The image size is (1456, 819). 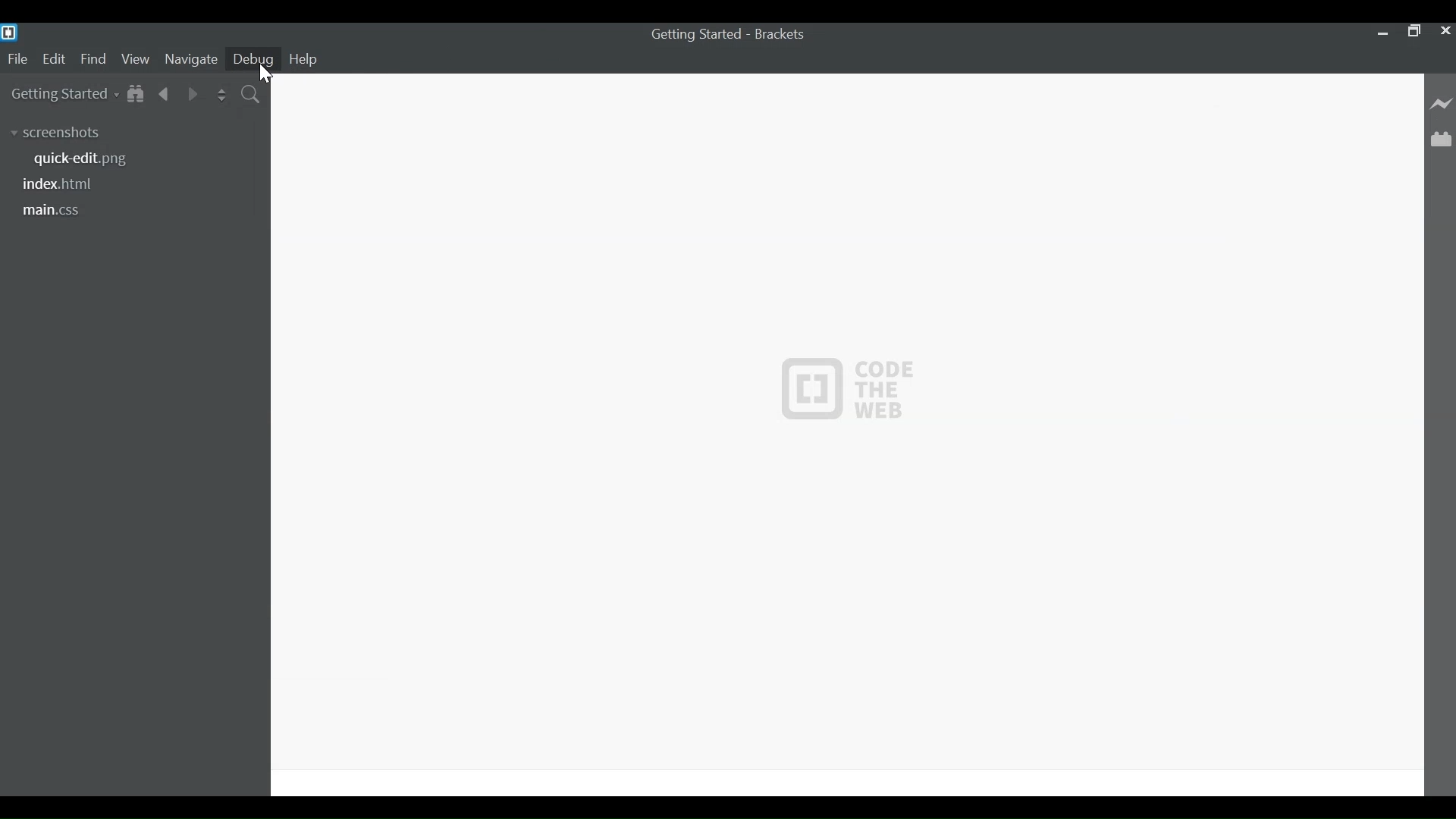 What do you see at coordinates (60, 95) in the screenshot?
I see `Getting Started` at bounding box center [60, 95].